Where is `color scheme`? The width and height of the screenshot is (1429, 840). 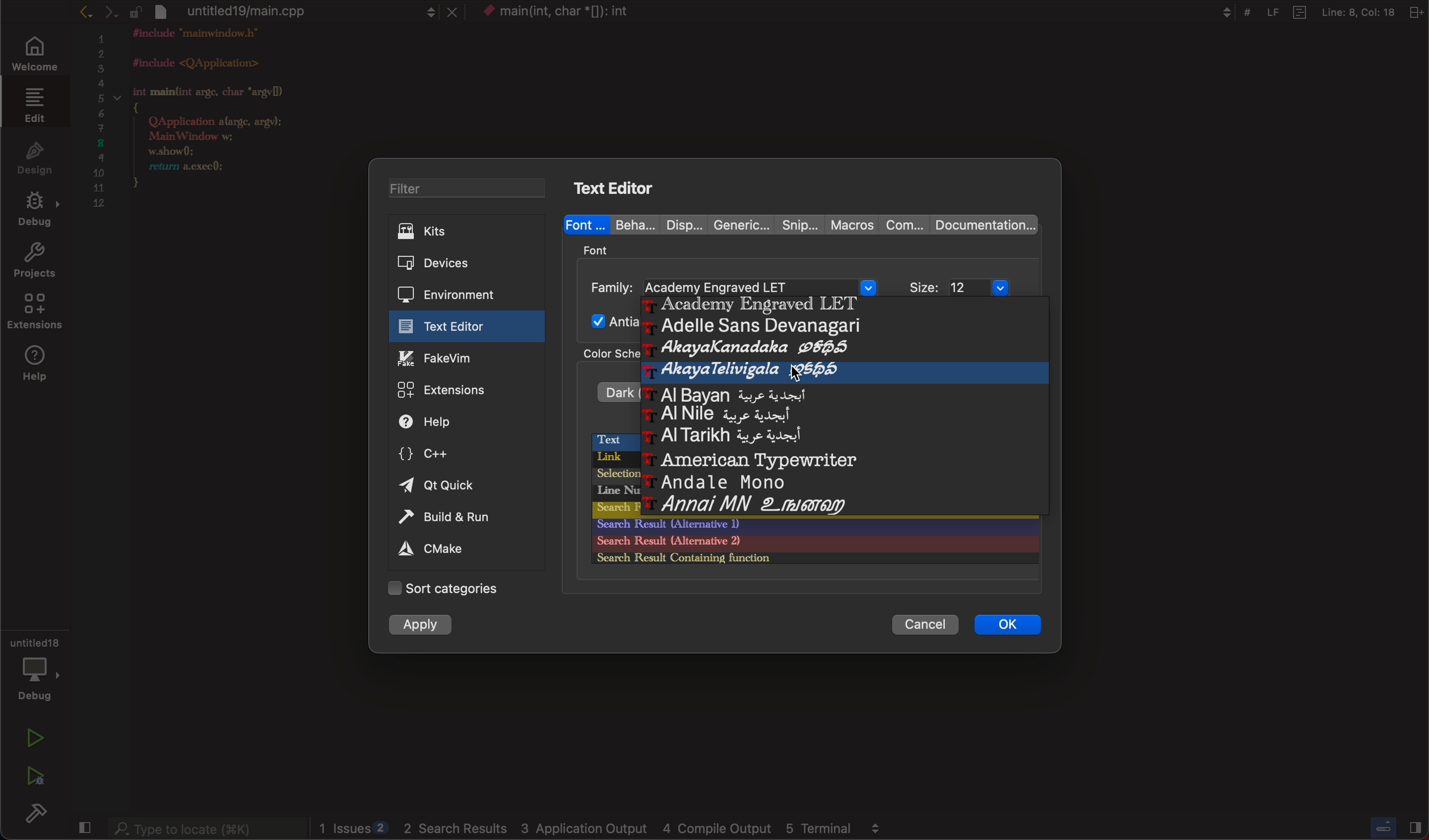 color scheme is located at coordinates (604, 357).